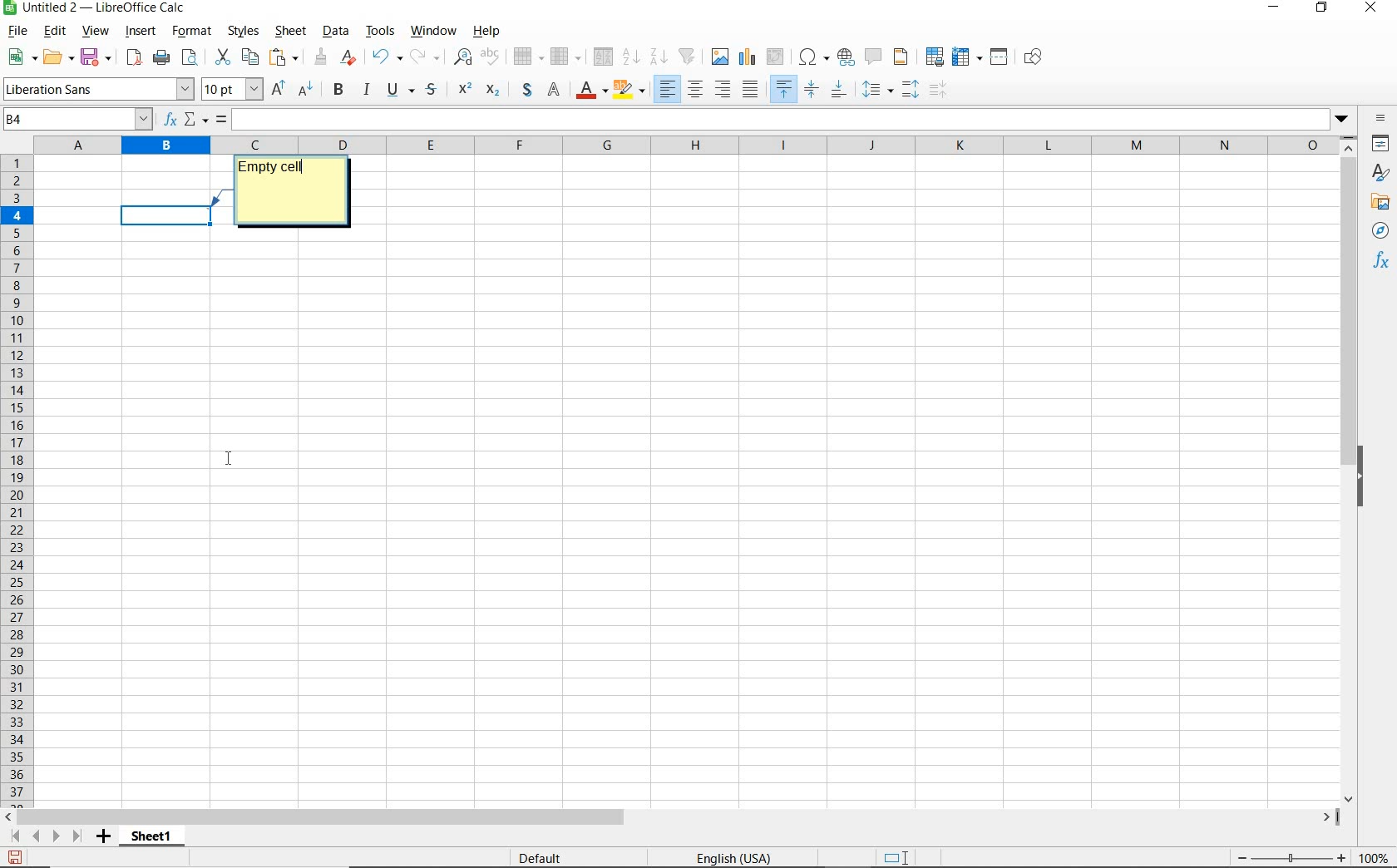 The width and height of the screenshot is (1397, 868). What do you see at coordinates (812, 89) in the screenshot?
I see `center vertically` at bounding box center [812, 89].